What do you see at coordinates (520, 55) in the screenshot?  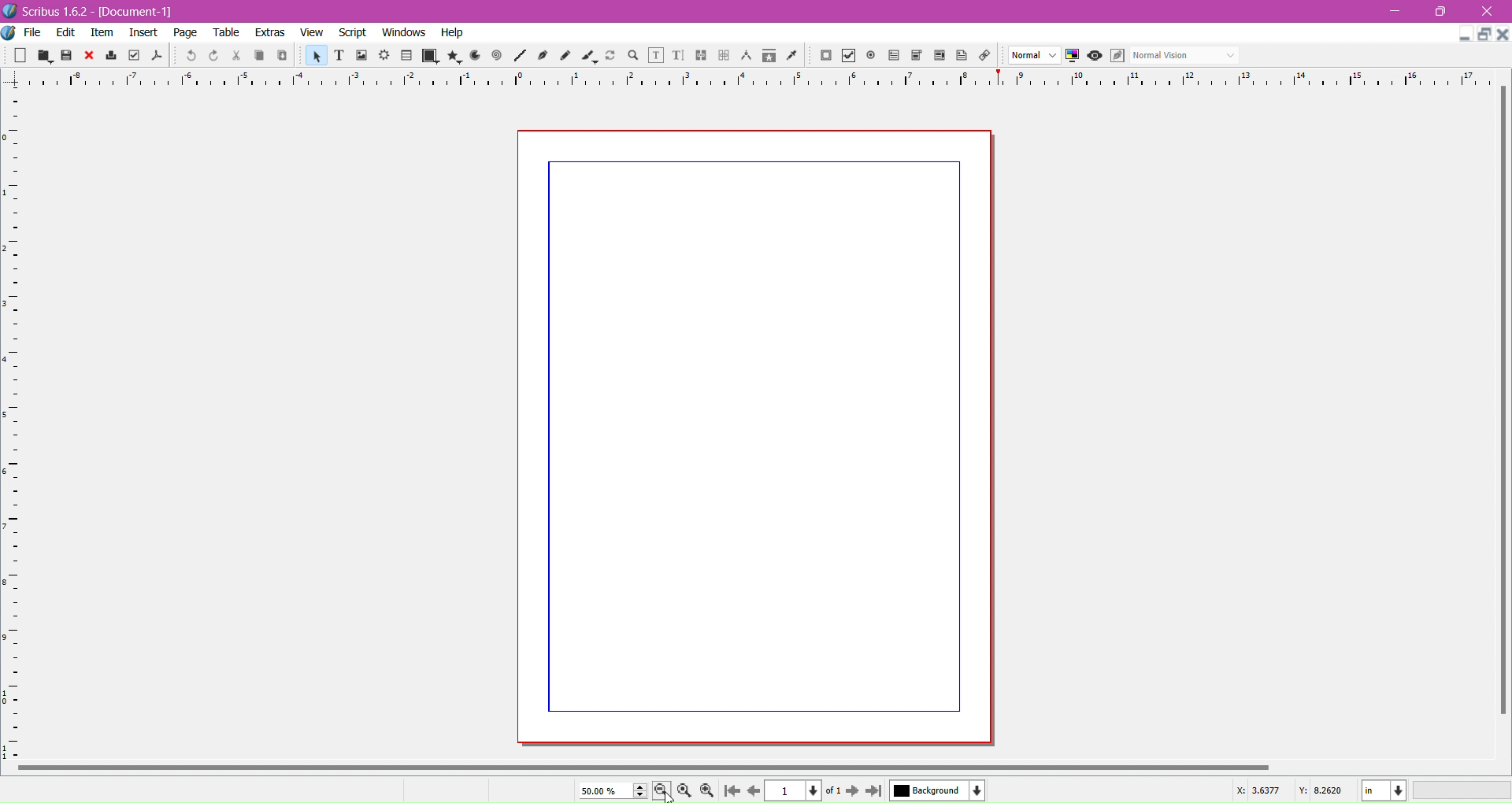 I see `Line` at bounding box center [520, 55].